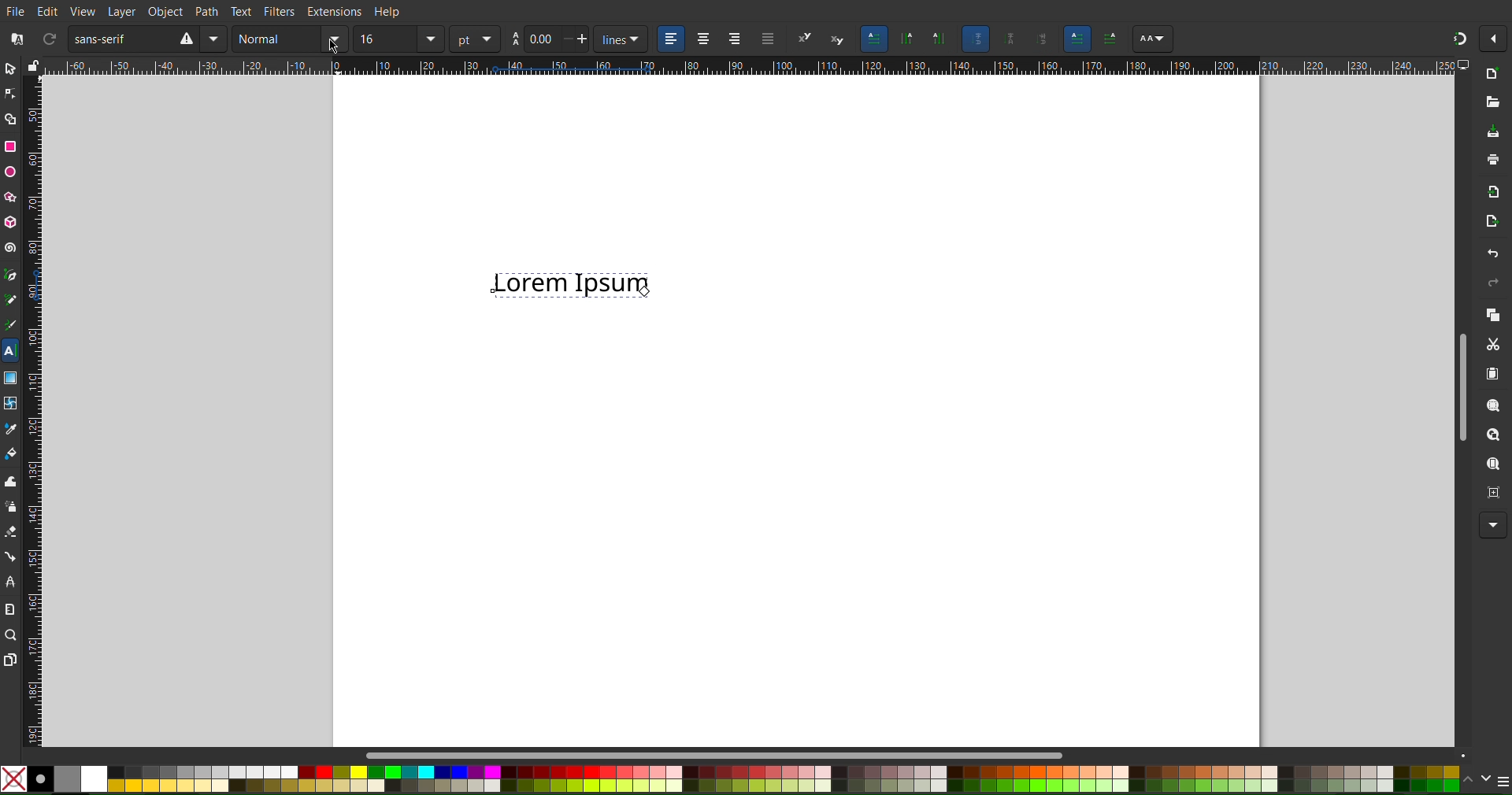 This screenshot has height=795, width=1512. I want to click on Colors, so click(732, 778).